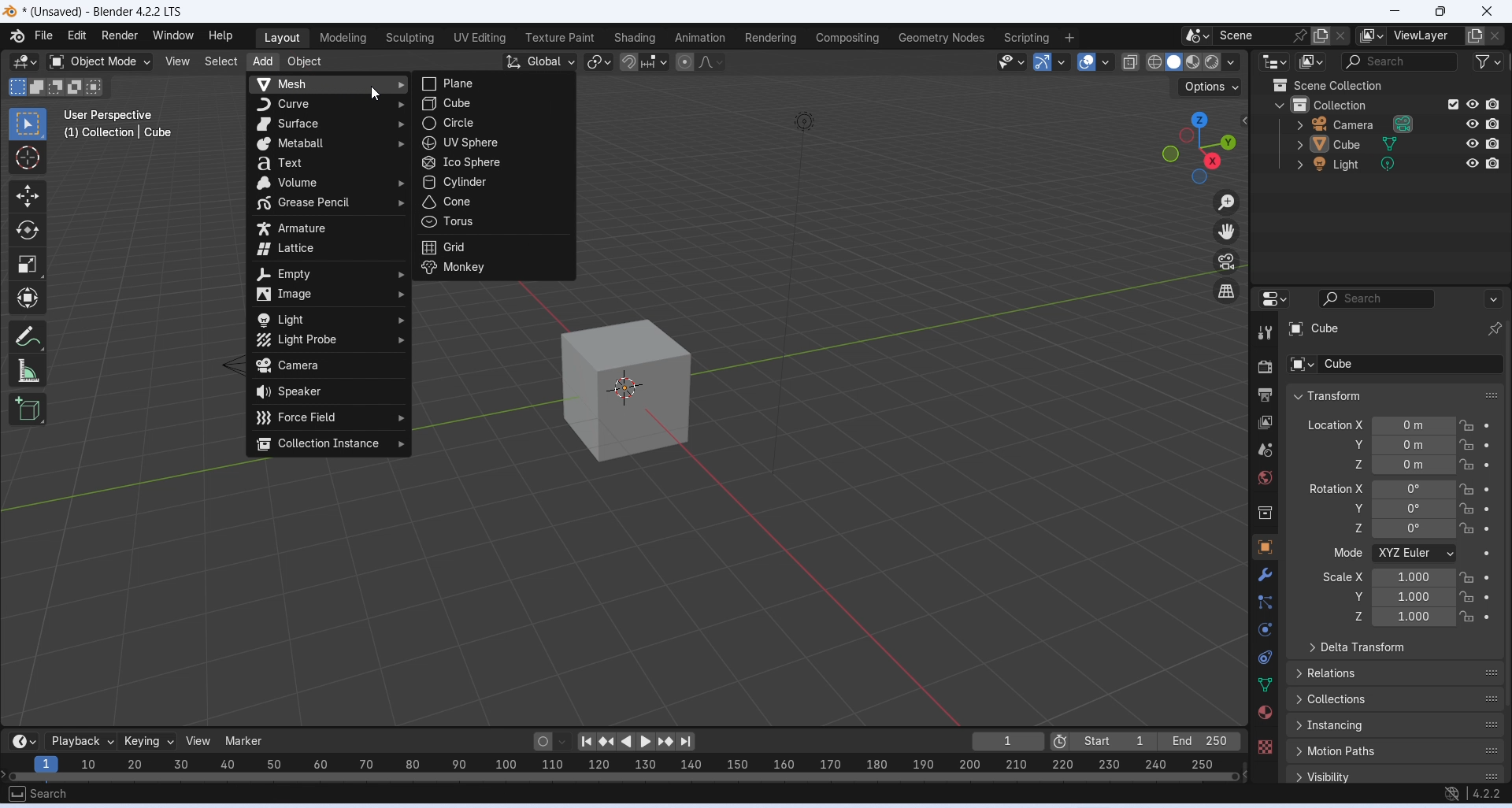 This screenshot has width=1512, height=808. I want to click on tool, so click(1266, 333).